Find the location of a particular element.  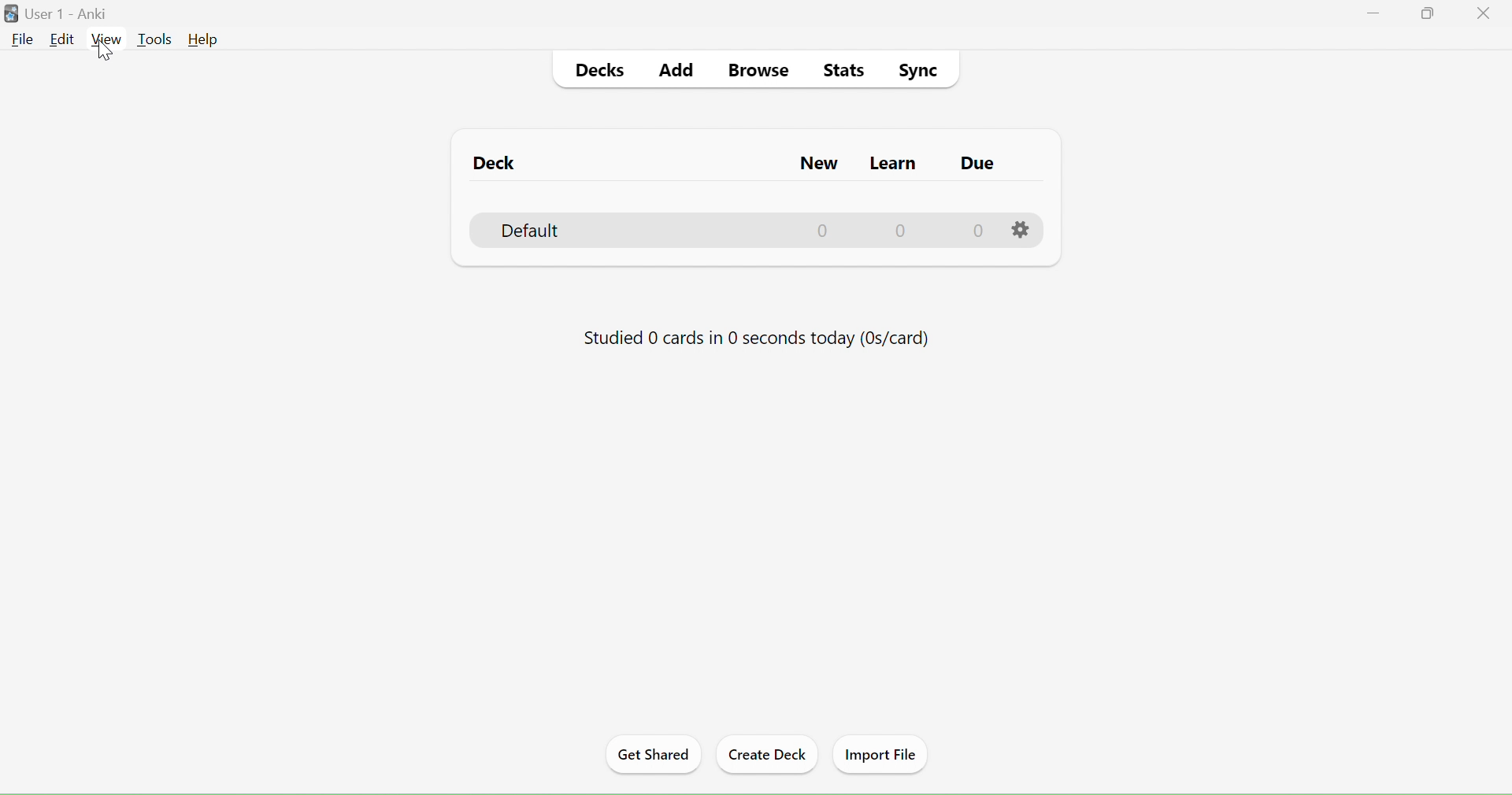

User 1 - Anki is located at coordinates (72, 13).